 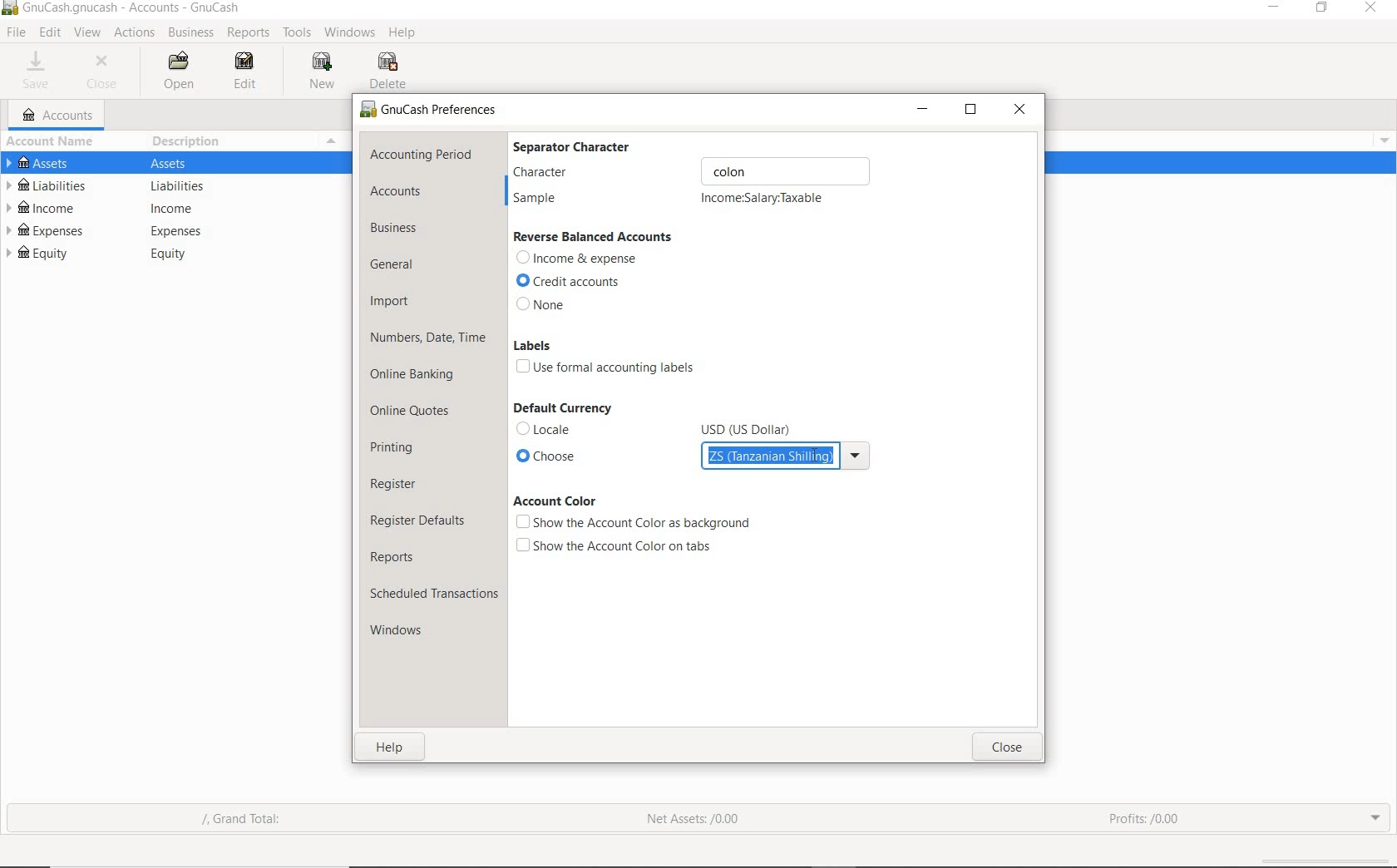 What do you see at coordinates (51, 185) in the screenshot?
I see `LIABILITIES` at bounding box center [51, 185].